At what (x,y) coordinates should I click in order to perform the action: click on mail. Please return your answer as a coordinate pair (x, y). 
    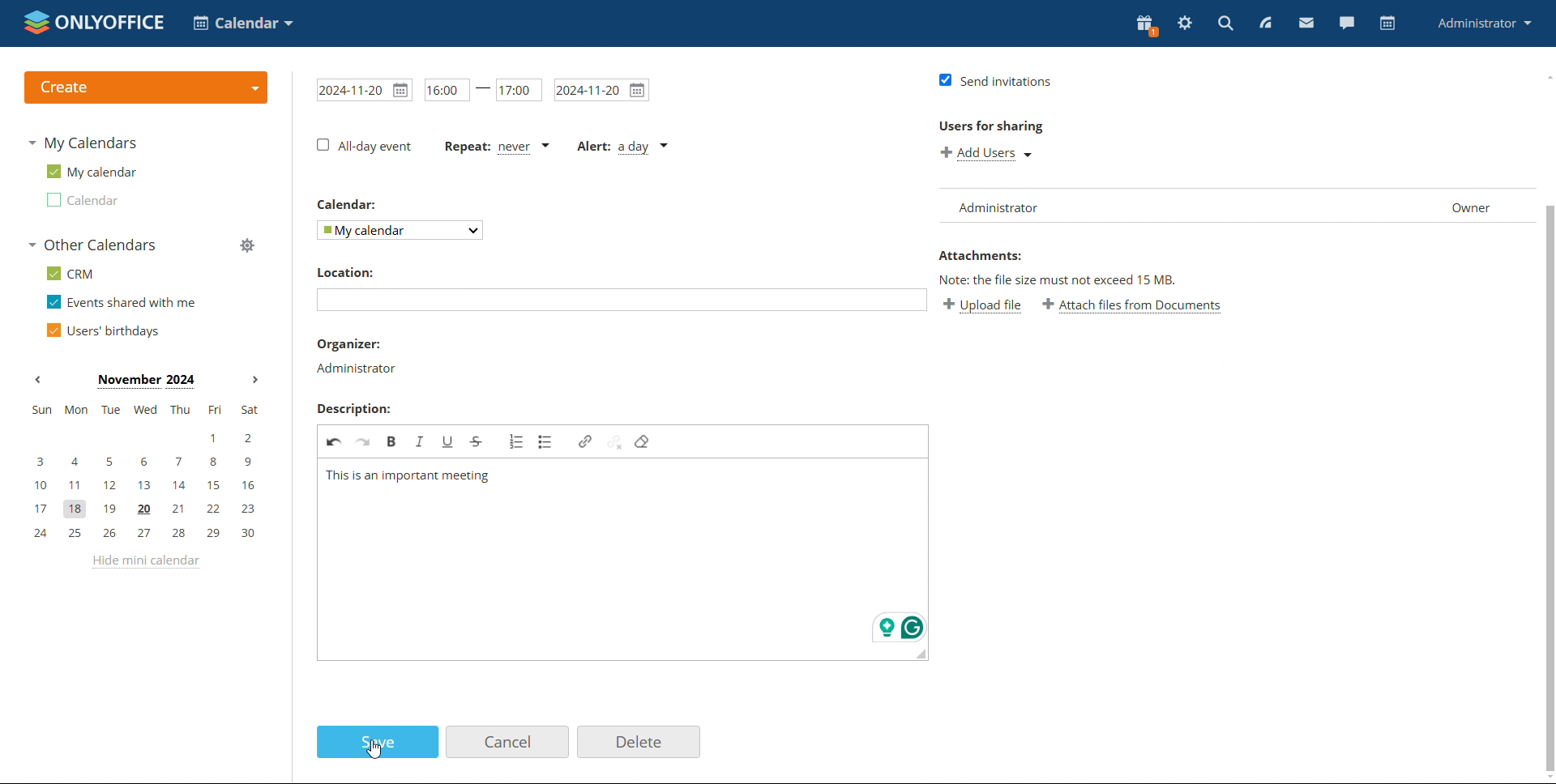
    Looking at the image, I should click on (1306, 23).